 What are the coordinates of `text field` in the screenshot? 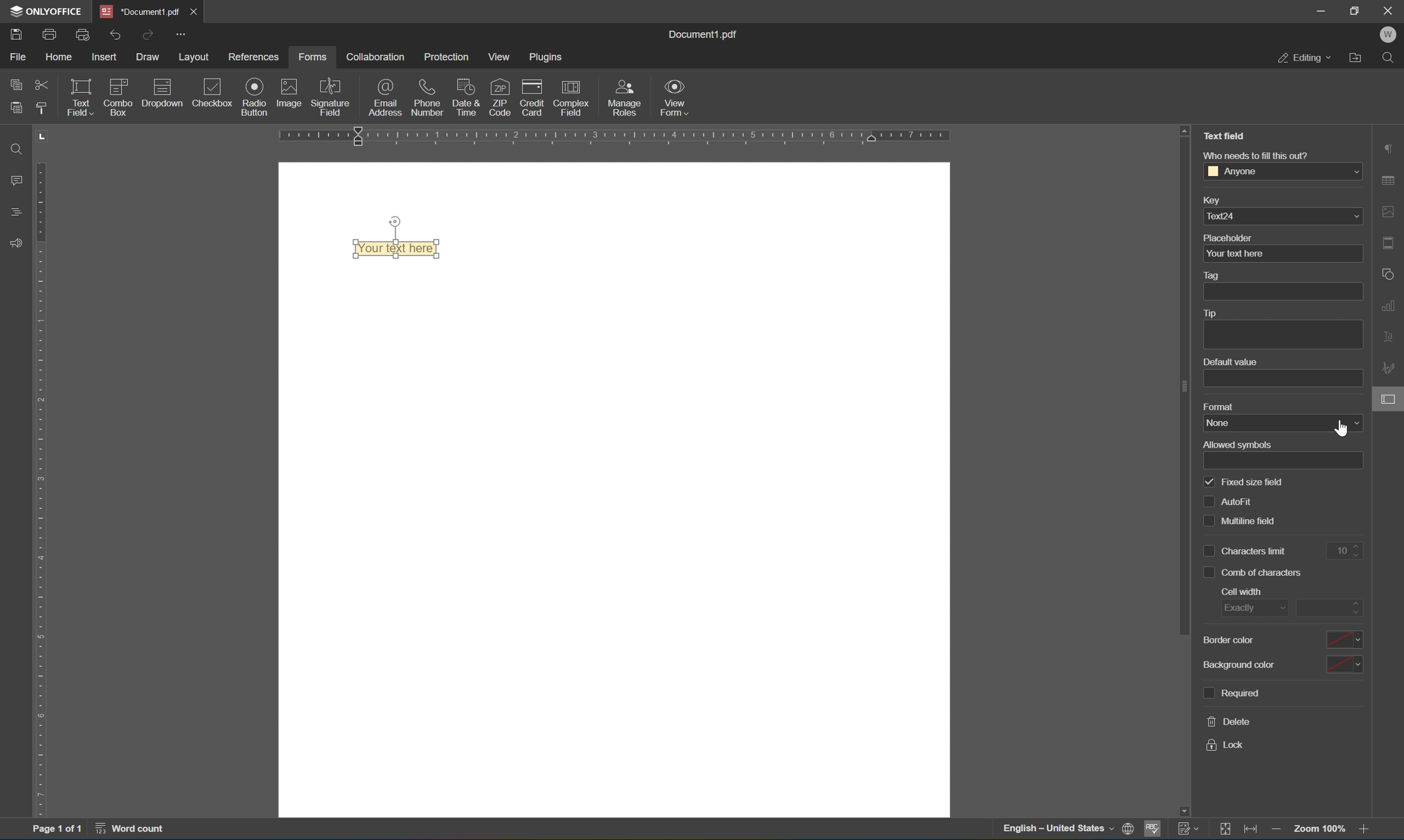 It's located at (79, 96).